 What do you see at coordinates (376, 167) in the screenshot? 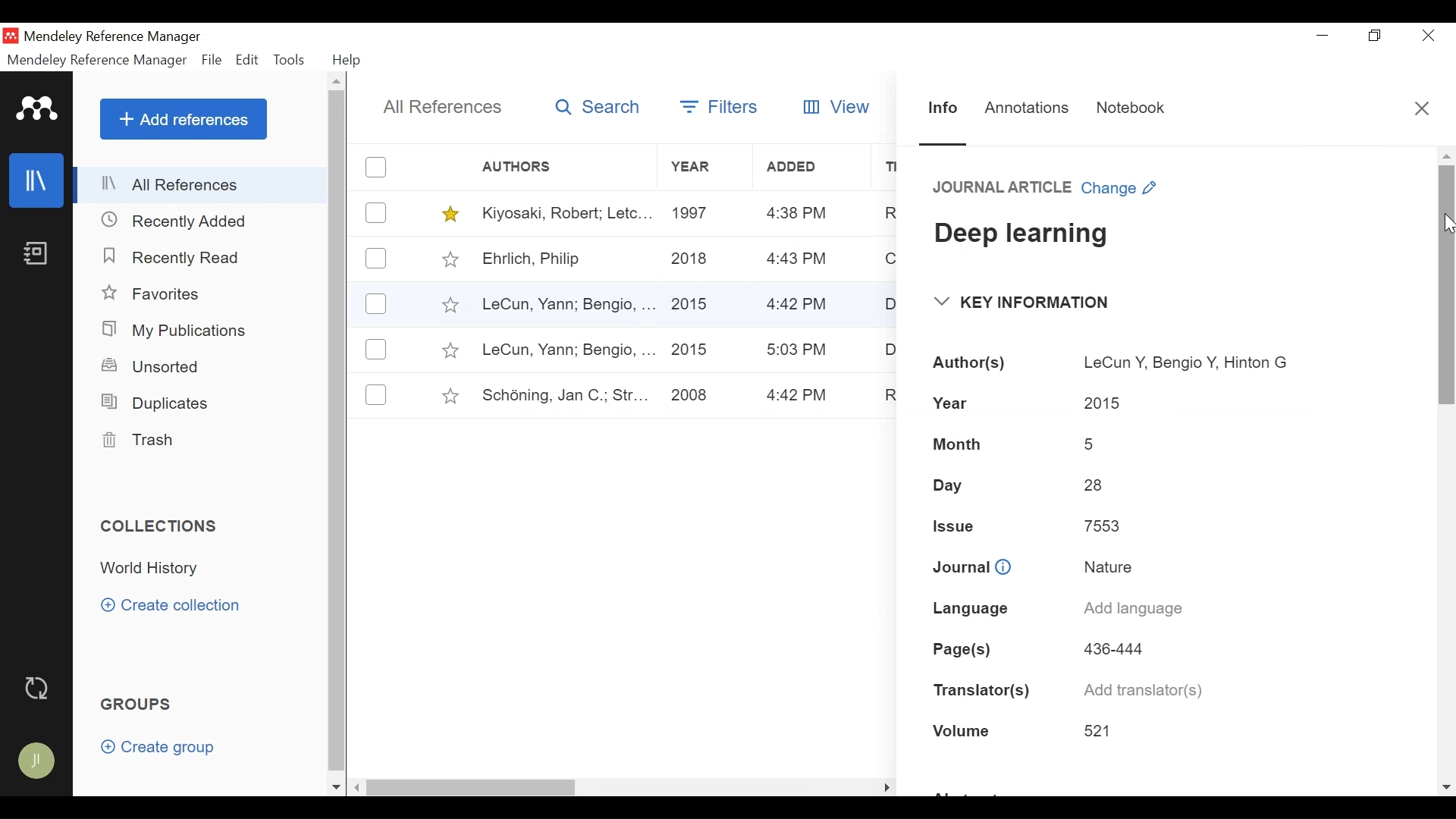
I see `(un)select` at bounding box center [376, 167].